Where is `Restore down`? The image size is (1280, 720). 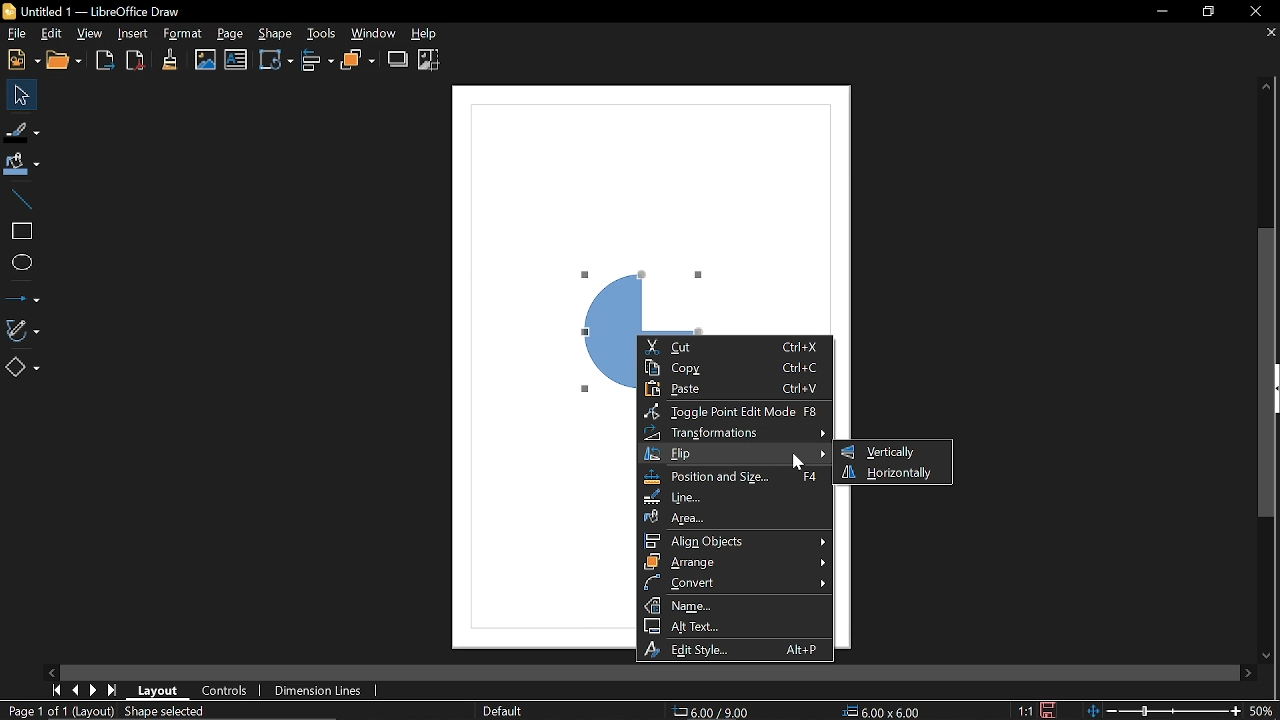 Restore down is located at coordinates (1208, 13).